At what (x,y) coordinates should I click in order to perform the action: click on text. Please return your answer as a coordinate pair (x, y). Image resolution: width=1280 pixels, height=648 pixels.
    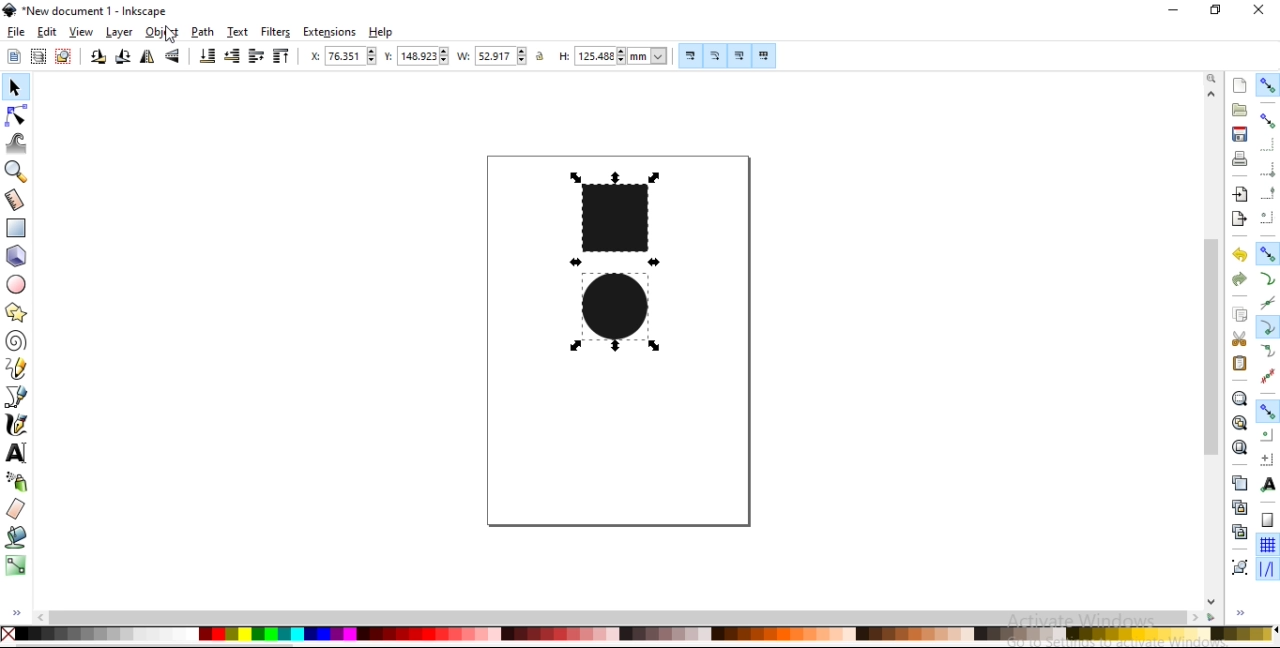
    Looking at the image, I should click on (239, 31).